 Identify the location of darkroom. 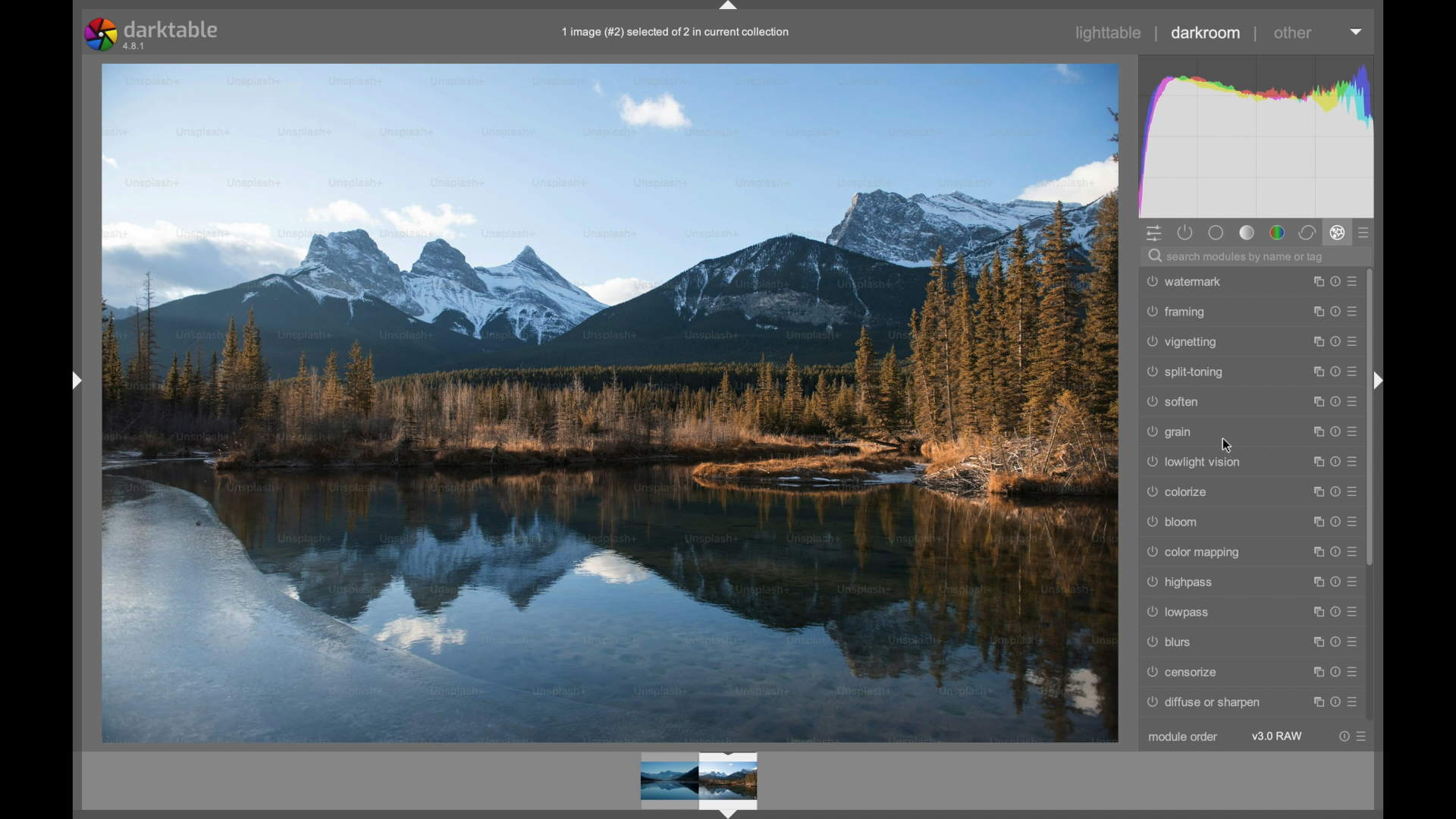
(1206, 32).